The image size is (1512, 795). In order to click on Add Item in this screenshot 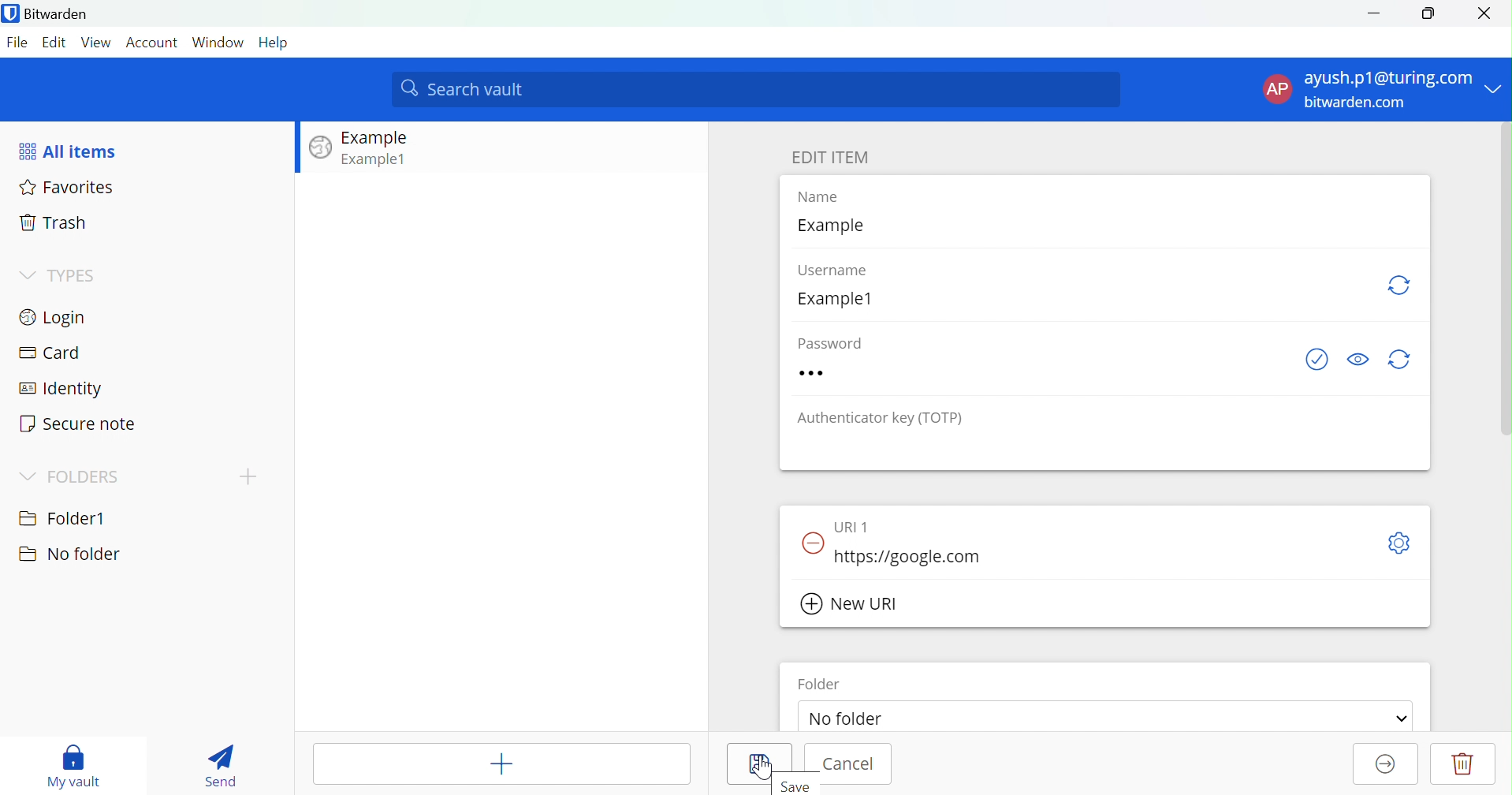, I will do `click(503, 763)`.